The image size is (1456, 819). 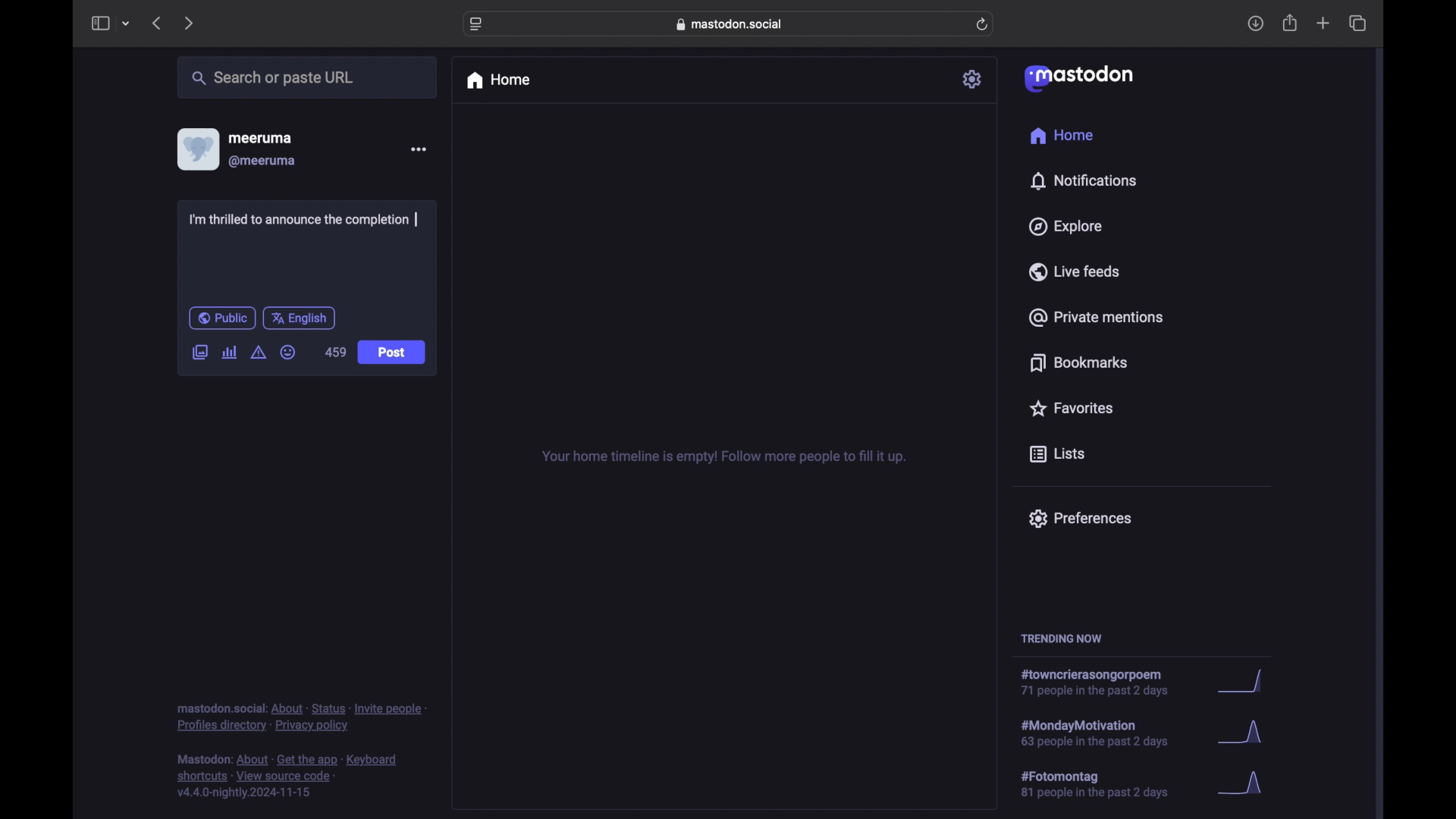 What do you see at coordinates (418, 149) in the screenshot?
I see `more options` at bounding box center [418, 149].